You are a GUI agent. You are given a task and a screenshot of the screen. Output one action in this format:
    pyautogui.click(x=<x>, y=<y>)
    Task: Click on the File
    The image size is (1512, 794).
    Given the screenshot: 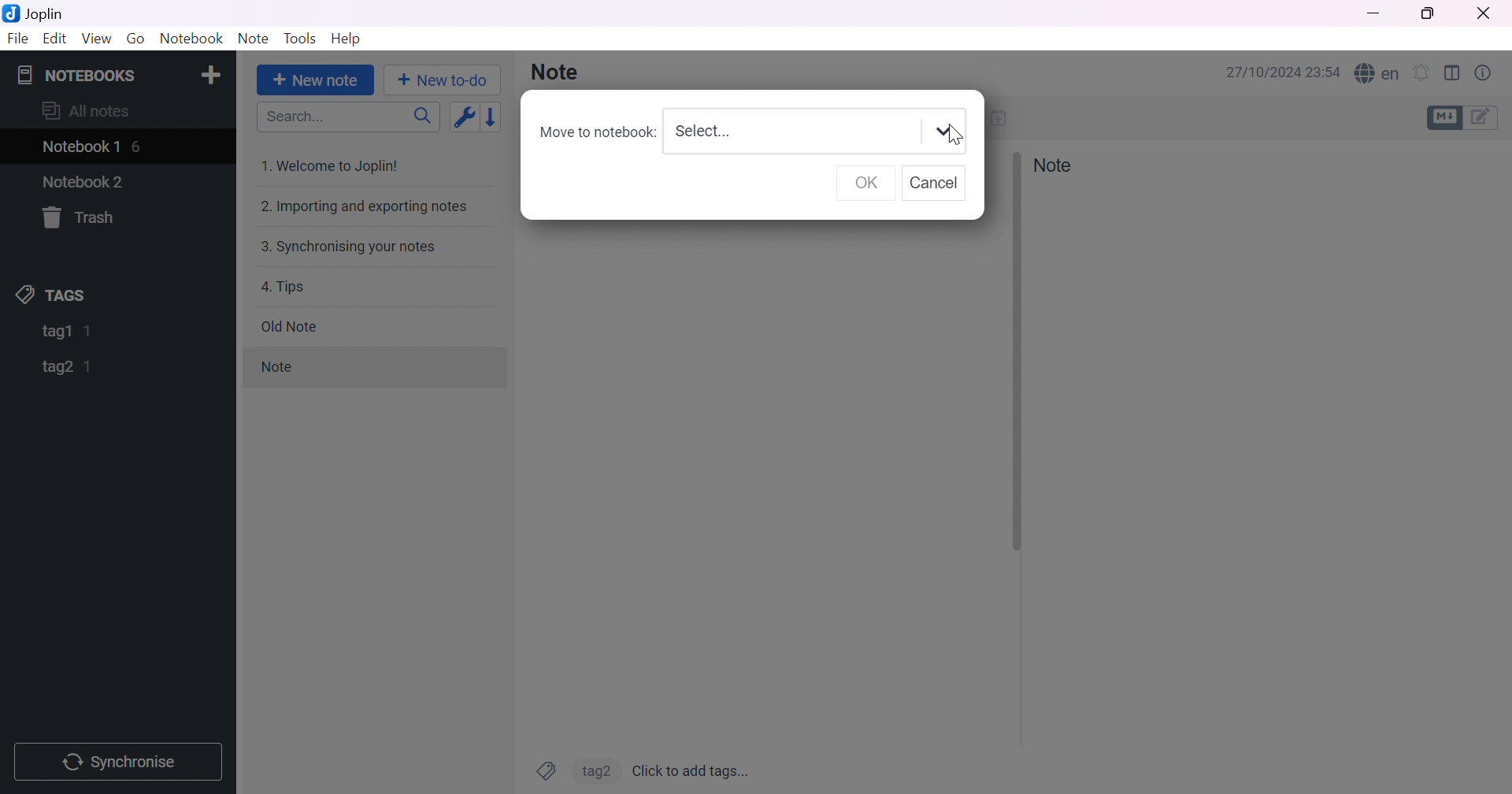 What is the action you would take?
    pyautogui.click(x=16, y=39)
    